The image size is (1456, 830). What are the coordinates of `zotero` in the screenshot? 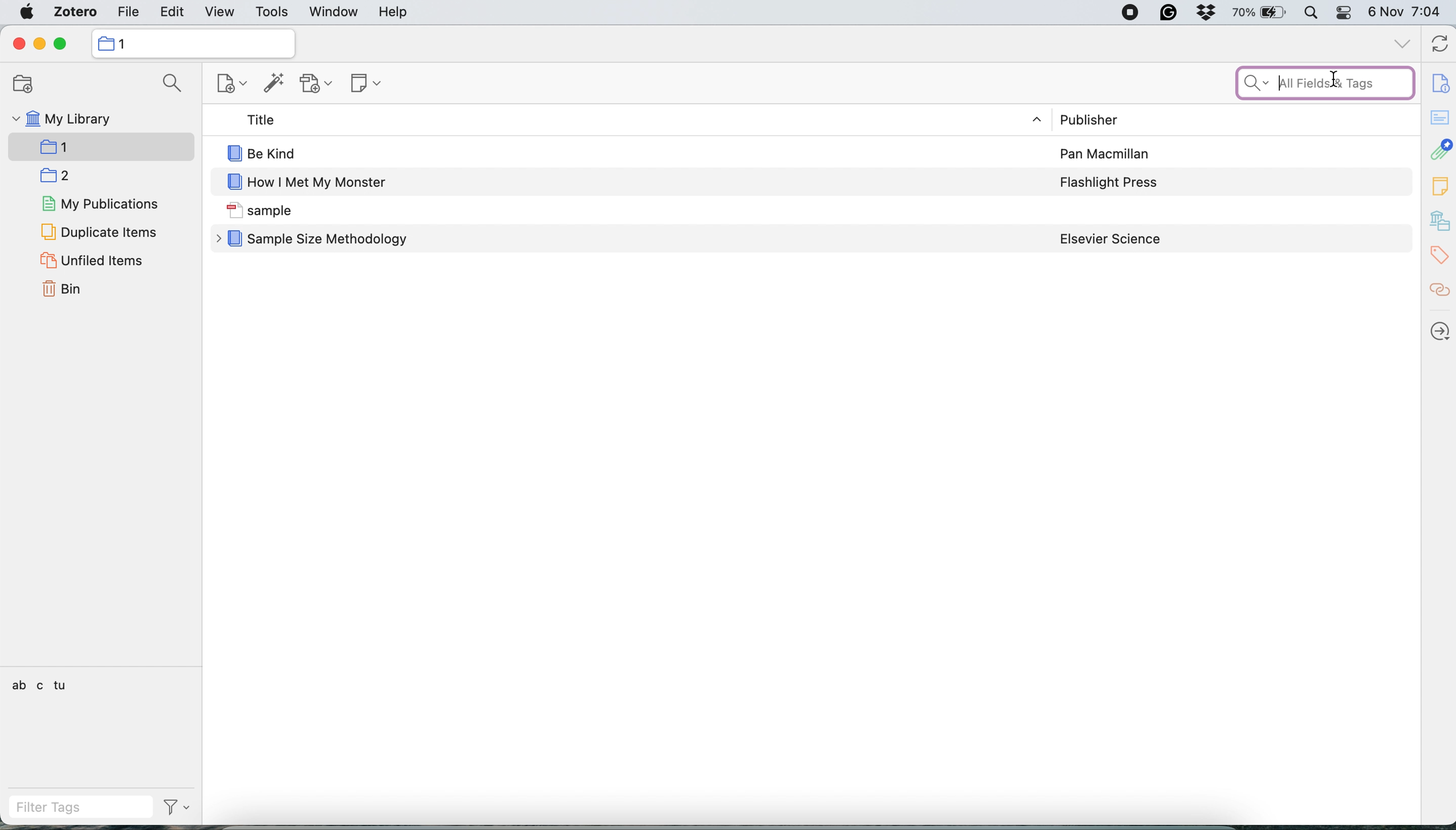 It's located at (77, 13).